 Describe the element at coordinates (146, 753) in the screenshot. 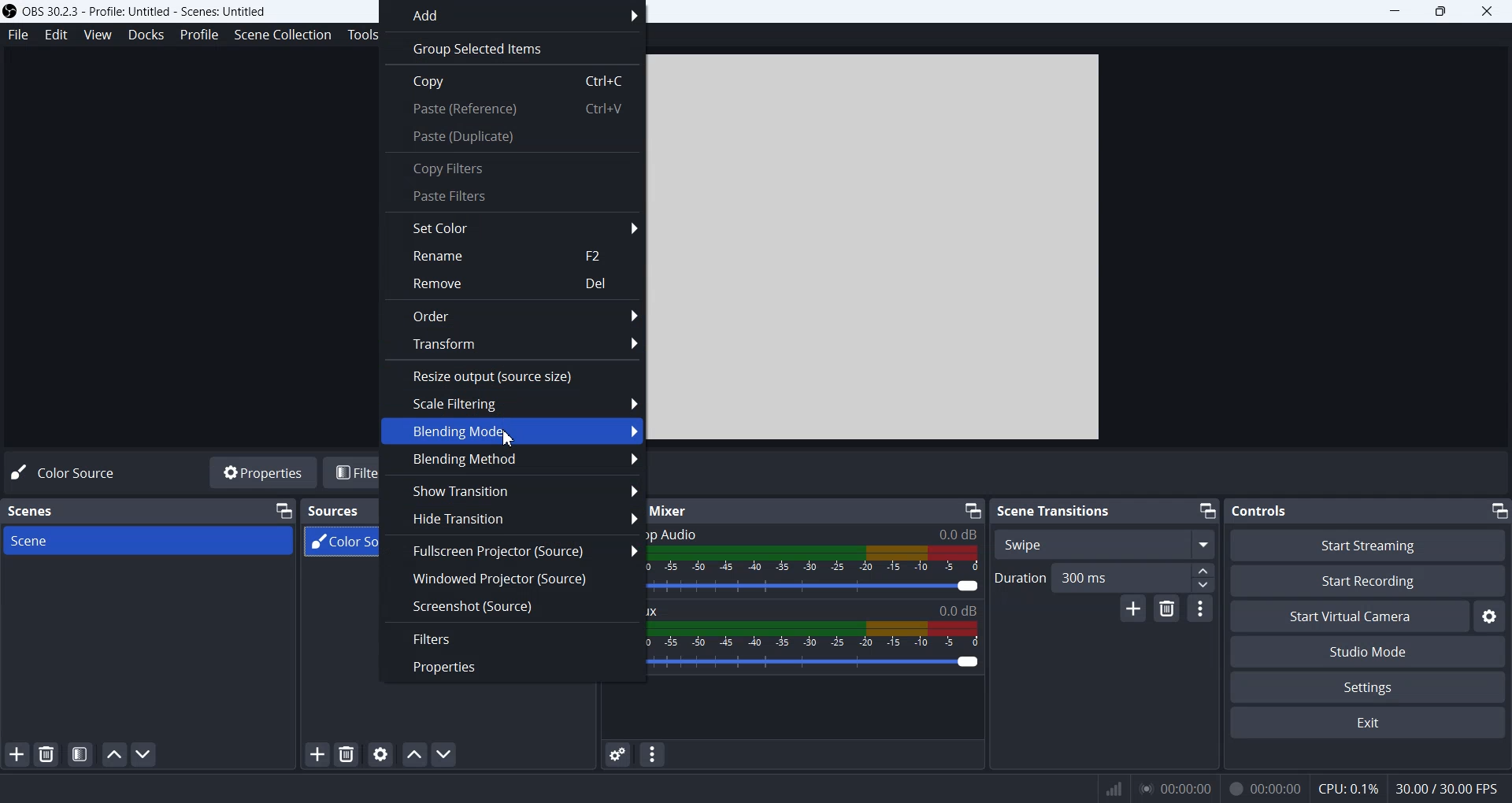

I see `Move Scene Down` at that location.